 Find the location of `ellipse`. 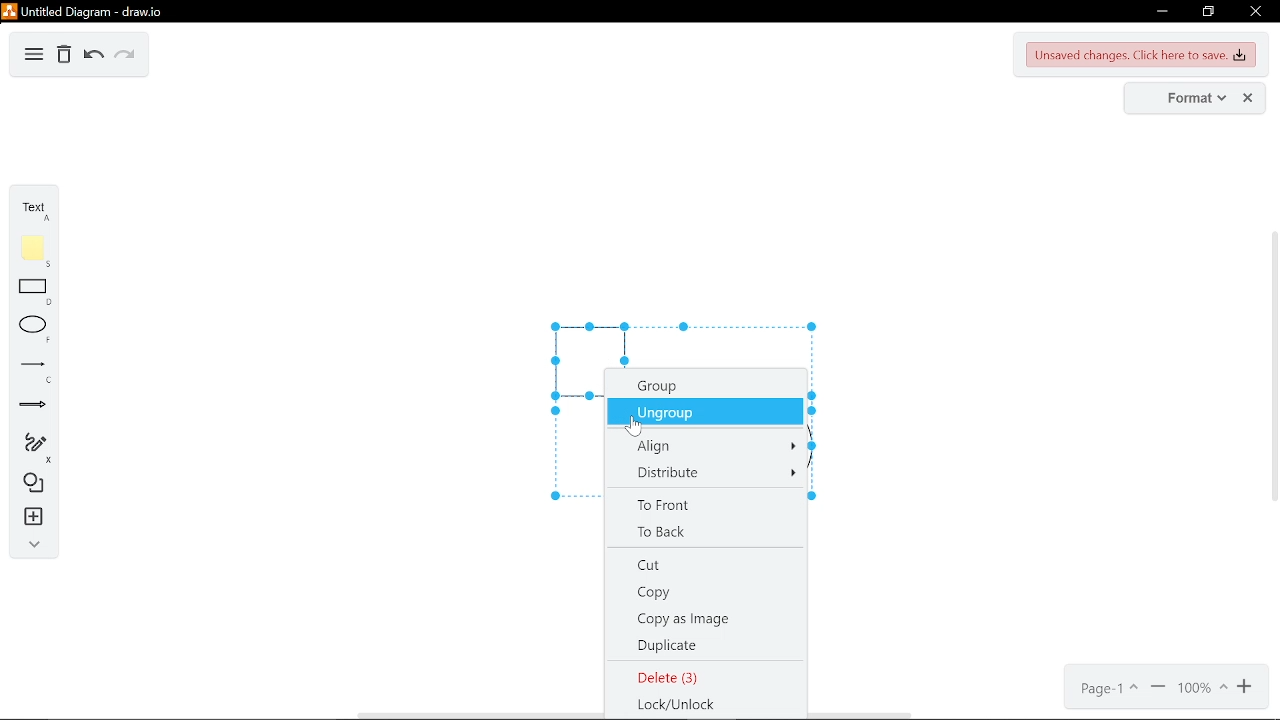

ellipse is located at coordinates (30, 331).